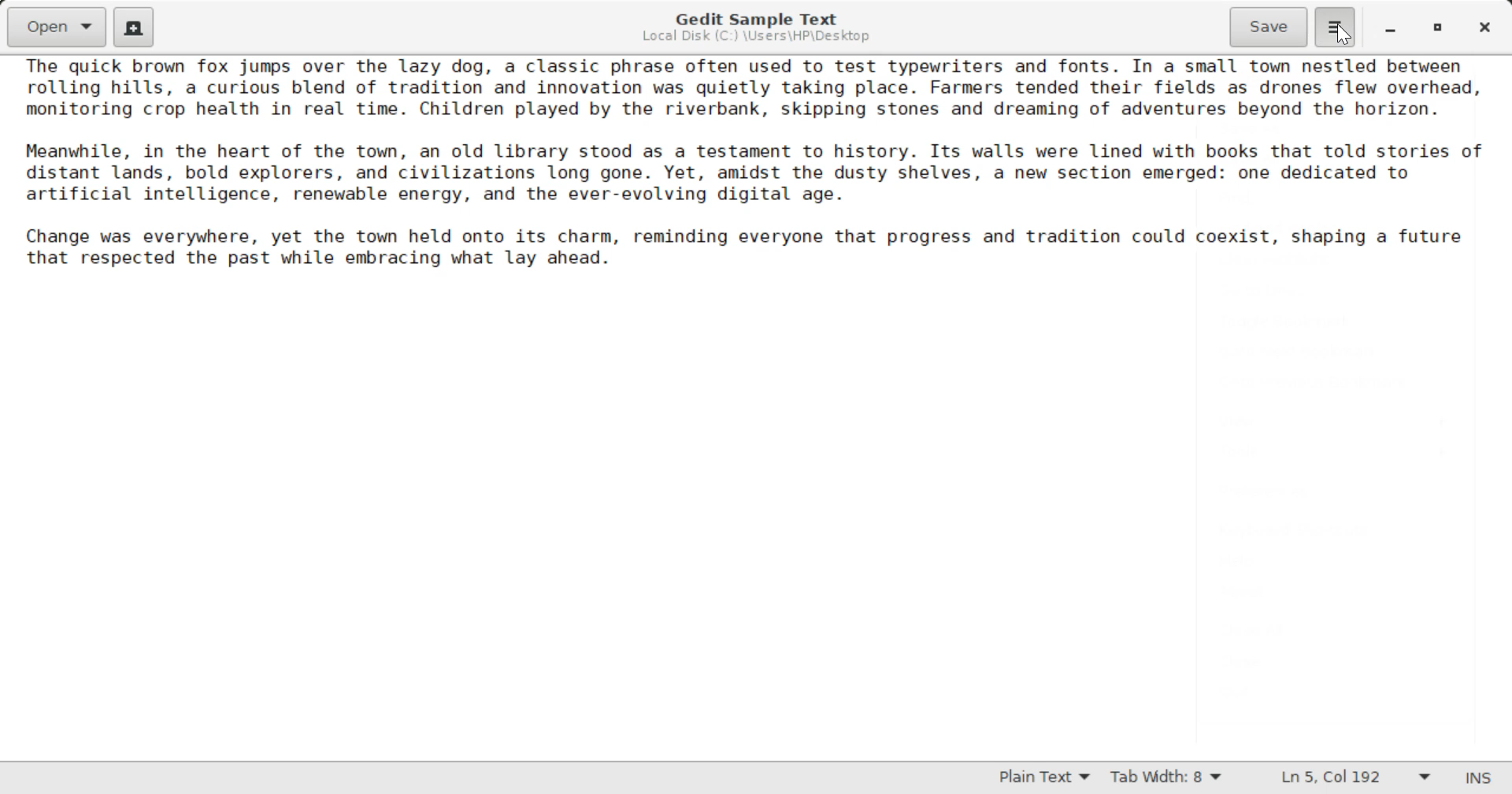 The height and width of the screenshot is (794, 1512). I want to click on Insert Mode, so click(1475, 778).